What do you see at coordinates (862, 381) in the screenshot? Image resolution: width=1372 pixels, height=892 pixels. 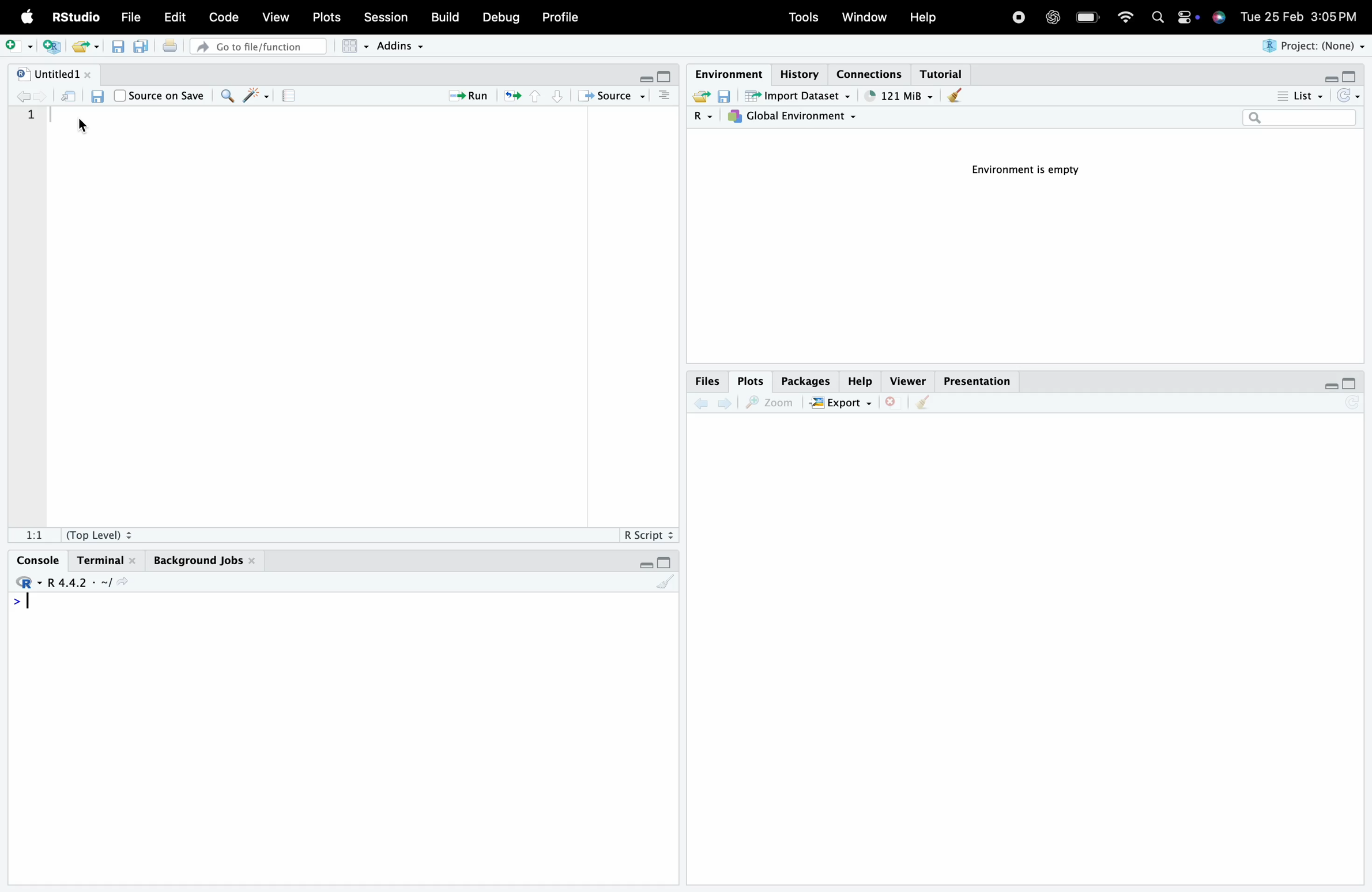 I see `Help` at bounding box center [862, 381].